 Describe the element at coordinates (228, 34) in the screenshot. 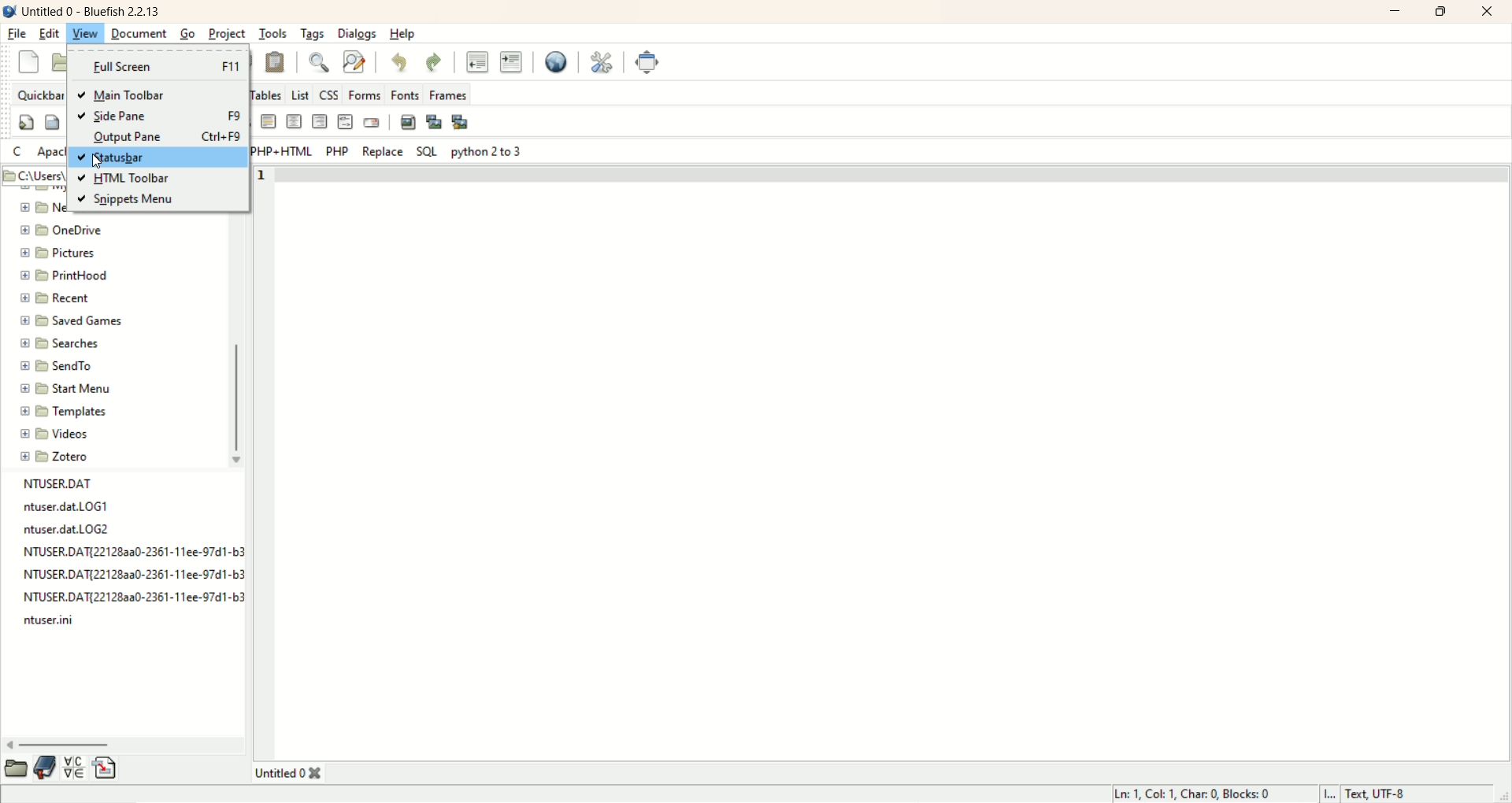

I see `project` at that location.